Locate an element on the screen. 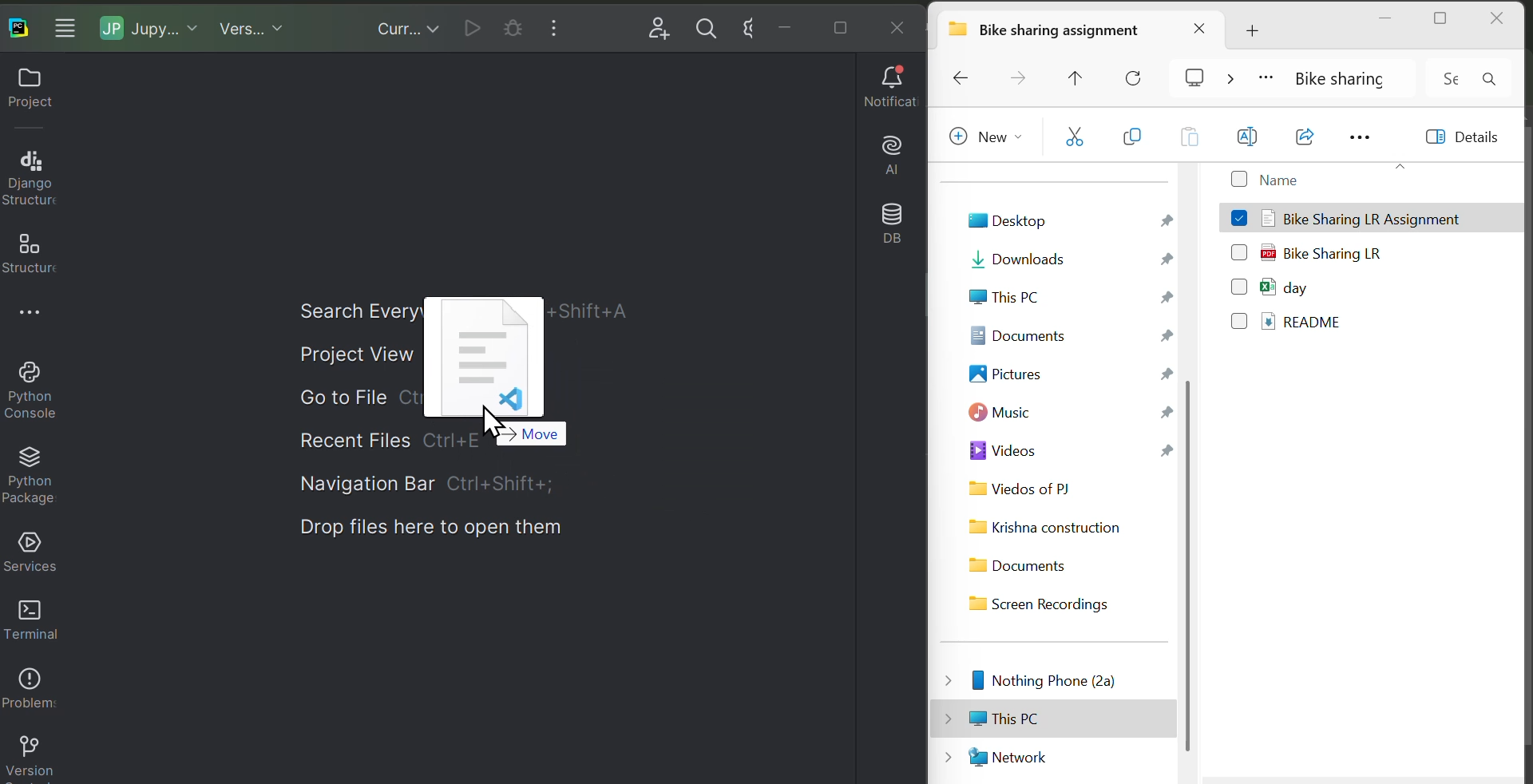  Maximise is located at coordinates (837, 26).